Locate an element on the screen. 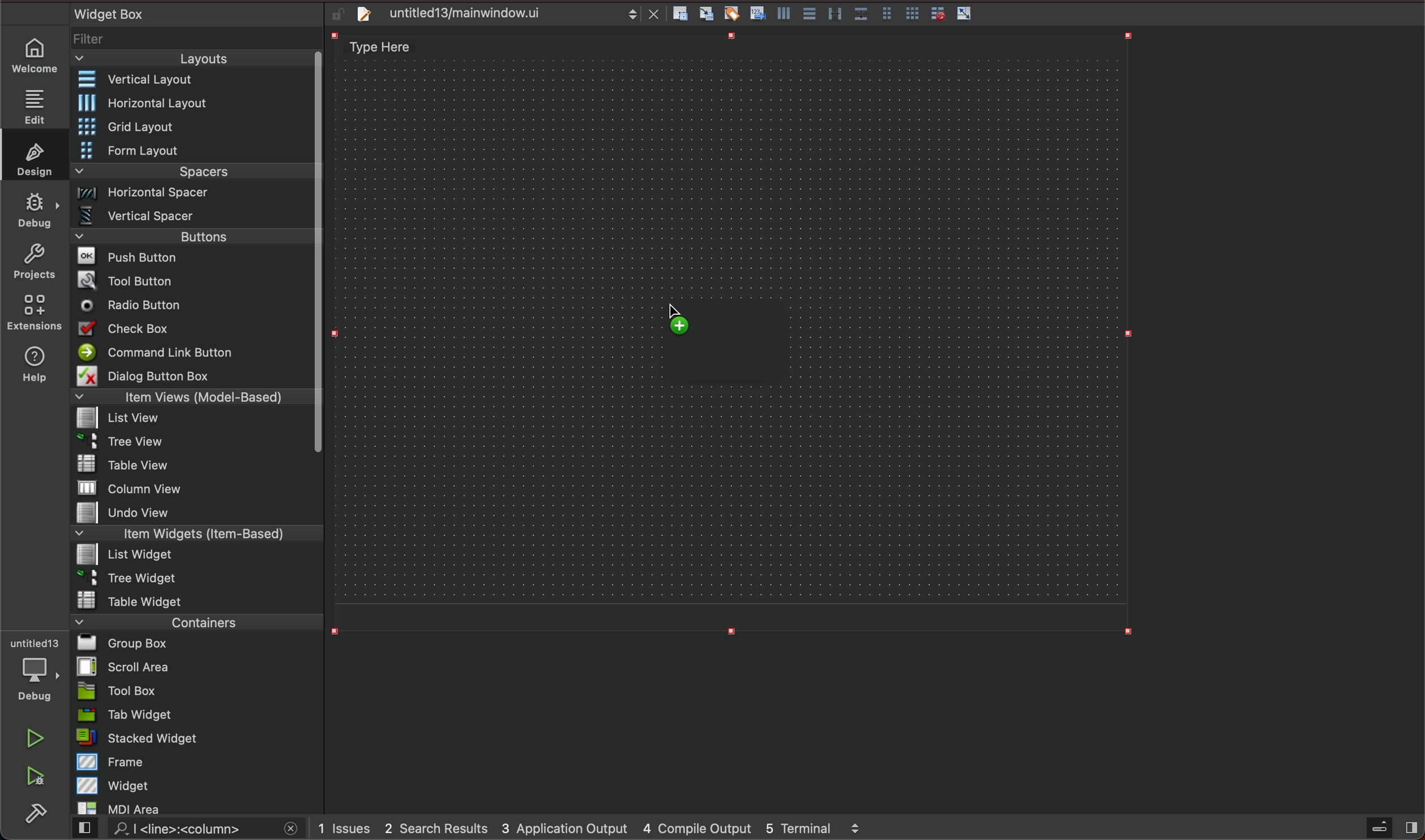 The width and height of the screenshot is (1425, 840). grid layout is located at coordinates (198, 126).